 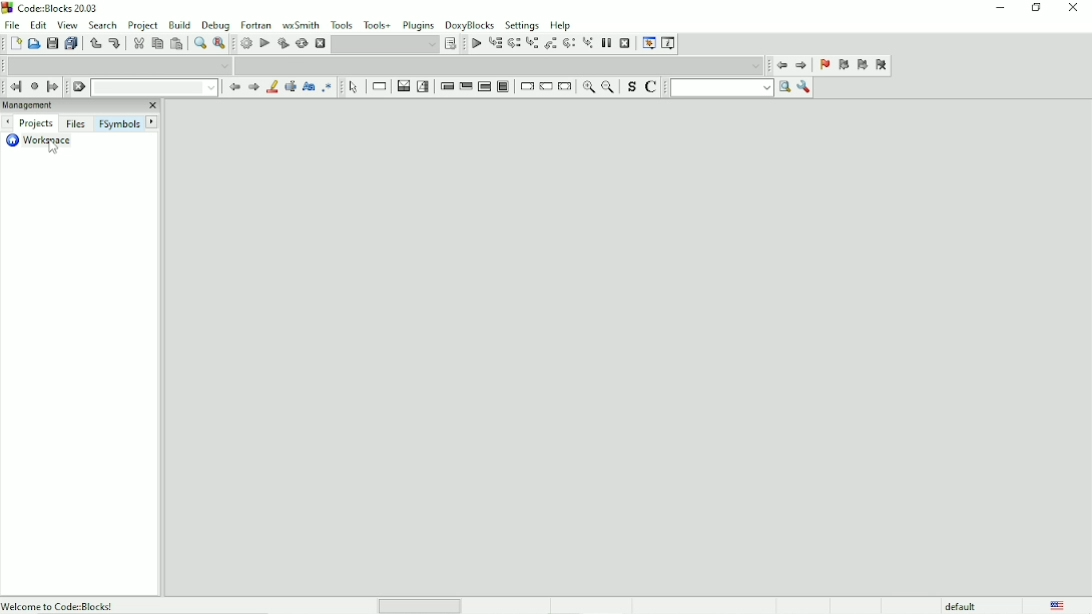 I want to click on wxSmith, so click(x=302, y=25).